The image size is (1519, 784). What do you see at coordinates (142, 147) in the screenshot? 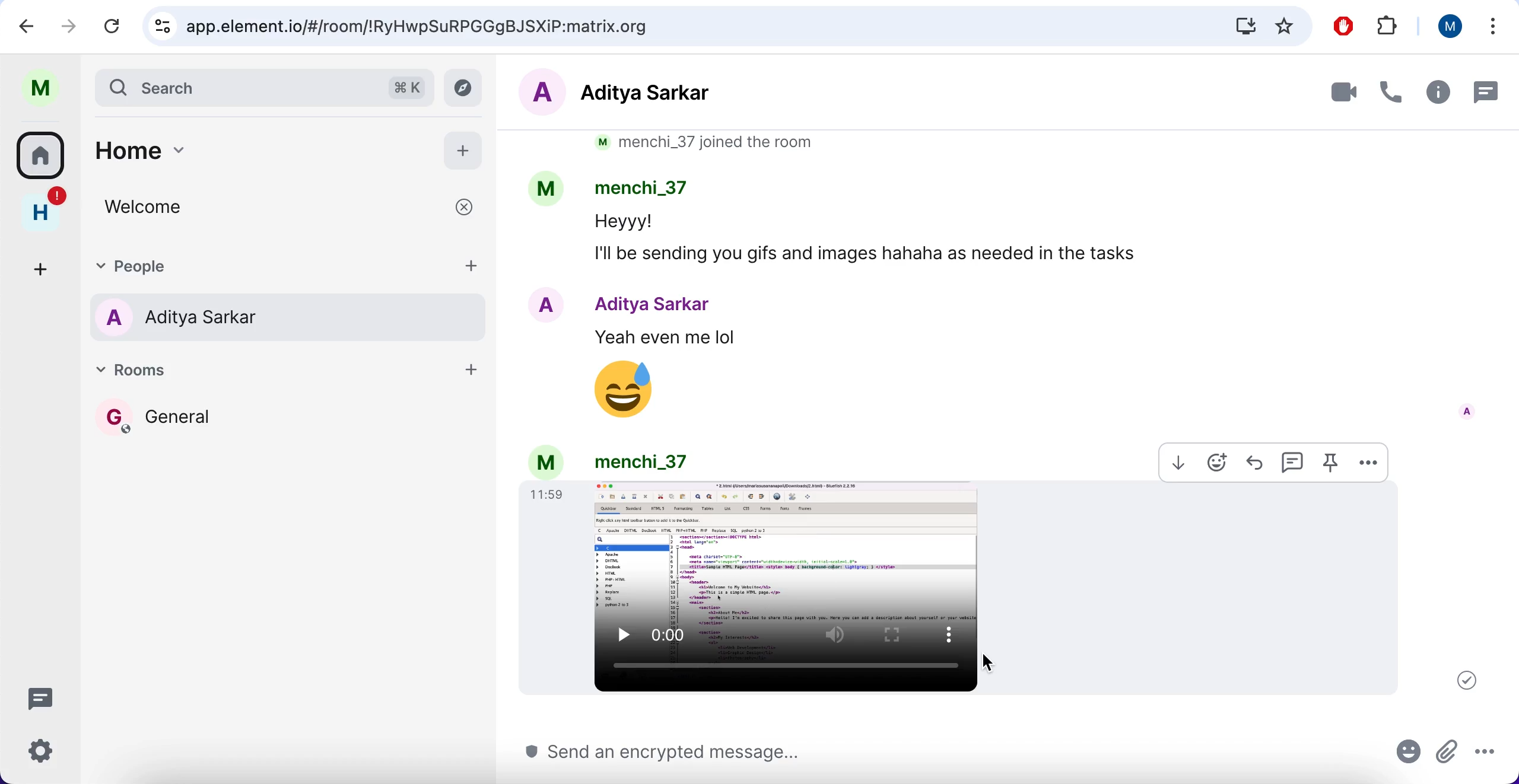
I see `home` at bounding box center [142, 147].